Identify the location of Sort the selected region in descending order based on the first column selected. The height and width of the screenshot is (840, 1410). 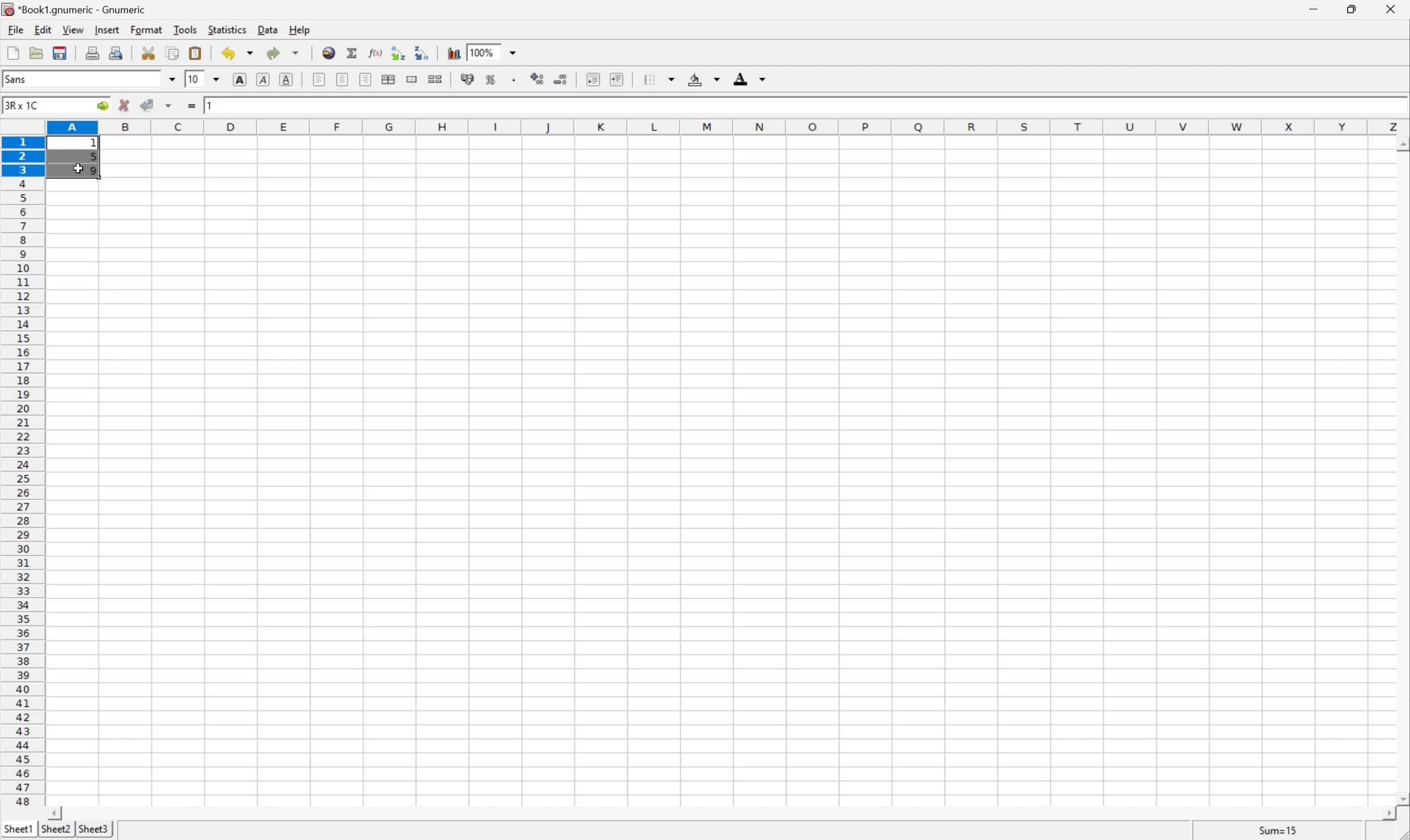
(422, 52).